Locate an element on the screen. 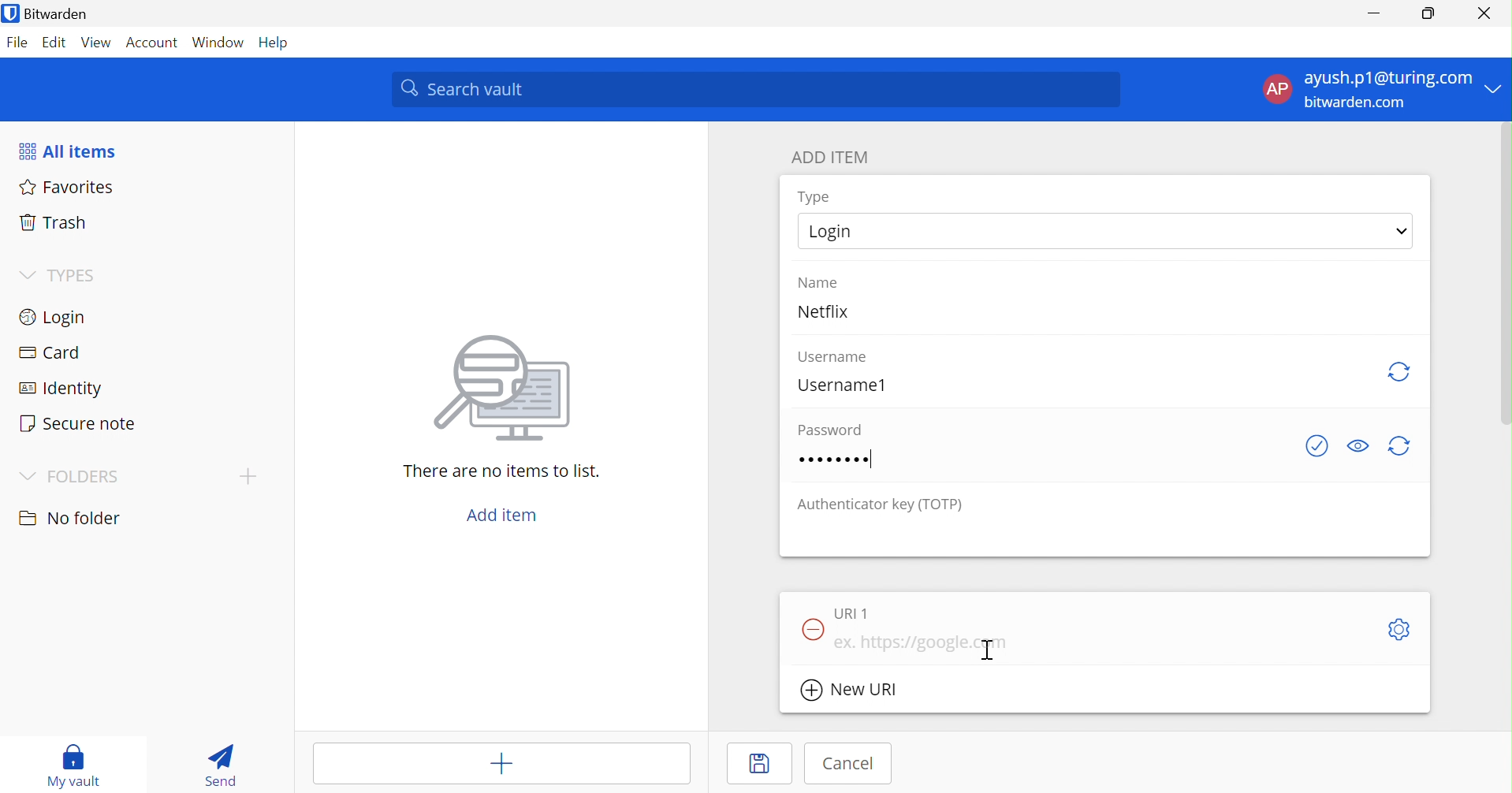 Image resolution: width=1512 pixels, height=793 pixels. Netflix is located at coordinates (822, 311).